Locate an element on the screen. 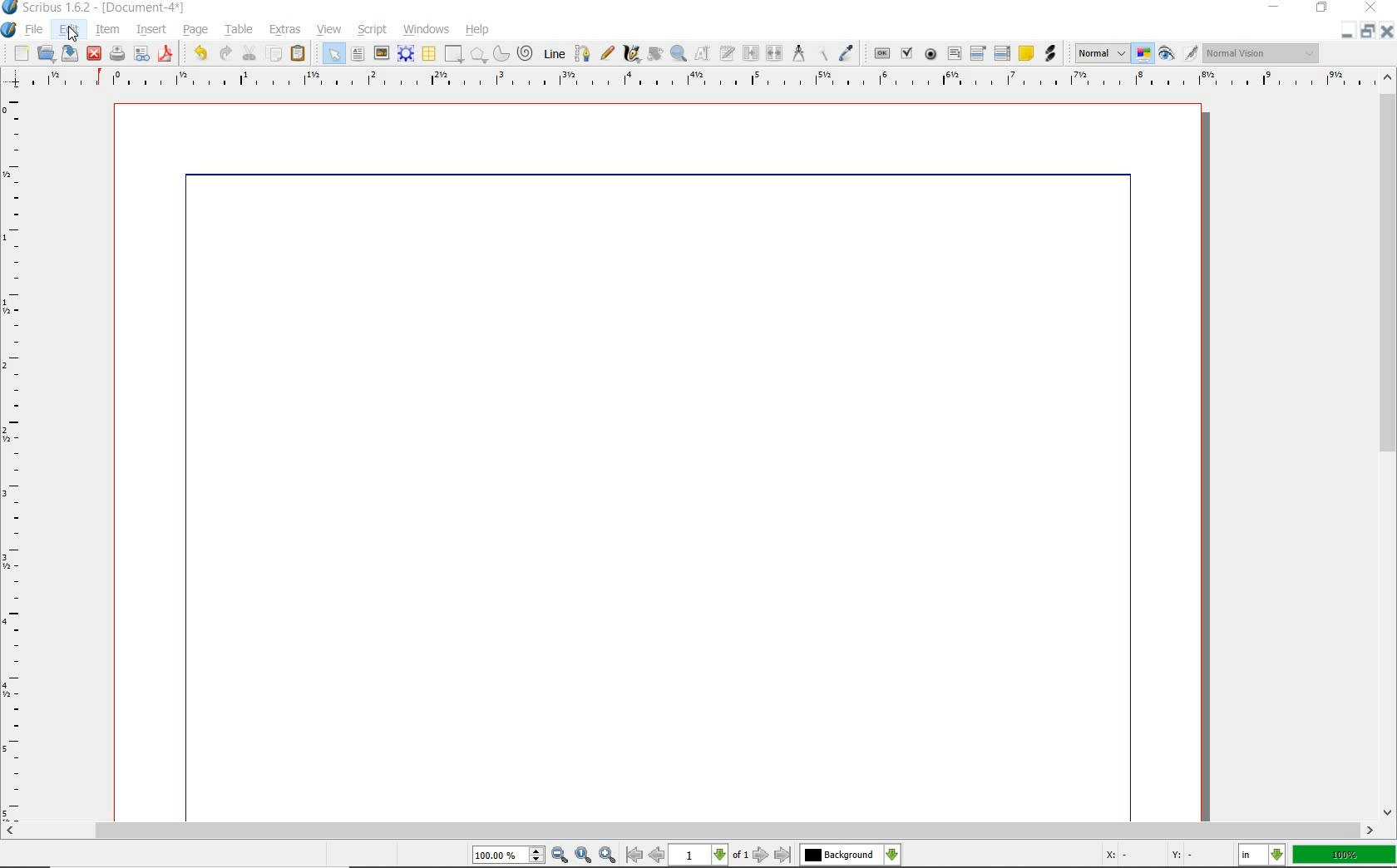  file is located at coordinates (35, 30).